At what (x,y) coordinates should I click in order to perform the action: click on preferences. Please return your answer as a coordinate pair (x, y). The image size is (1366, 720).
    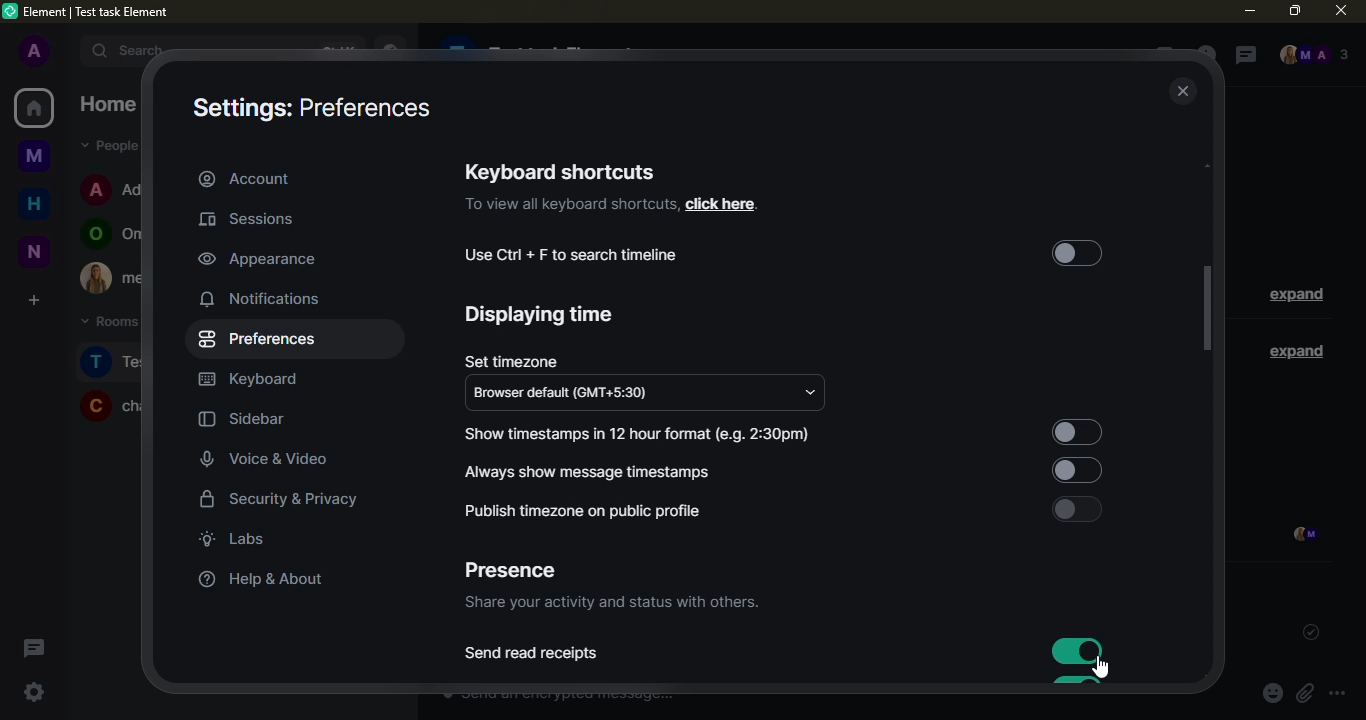
    Looking at the image, I should click on (261, 339).